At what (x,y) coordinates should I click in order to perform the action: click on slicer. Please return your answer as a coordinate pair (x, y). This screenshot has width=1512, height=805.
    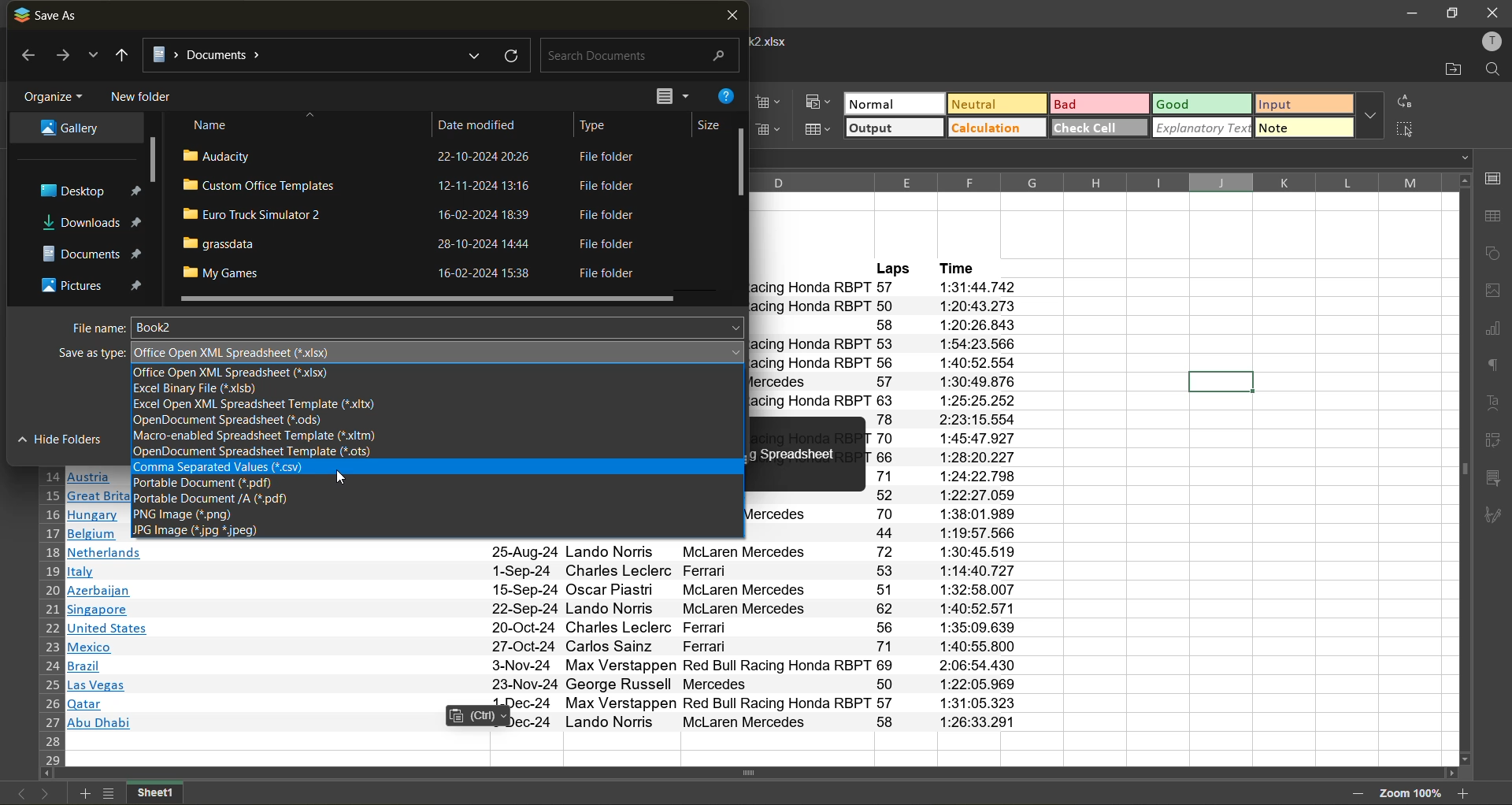
    Looking at the image, I should click on (1495, 479).